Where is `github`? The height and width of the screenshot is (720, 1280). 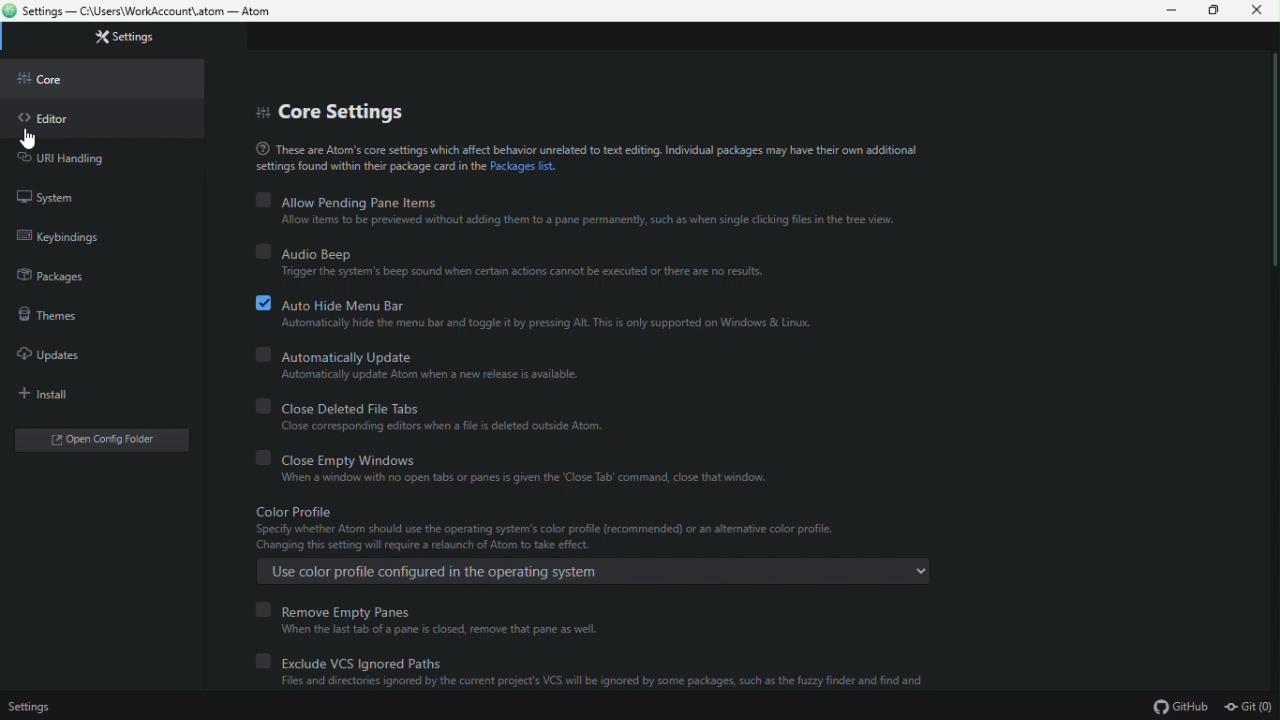 github is located at coordinates (1179, 707).